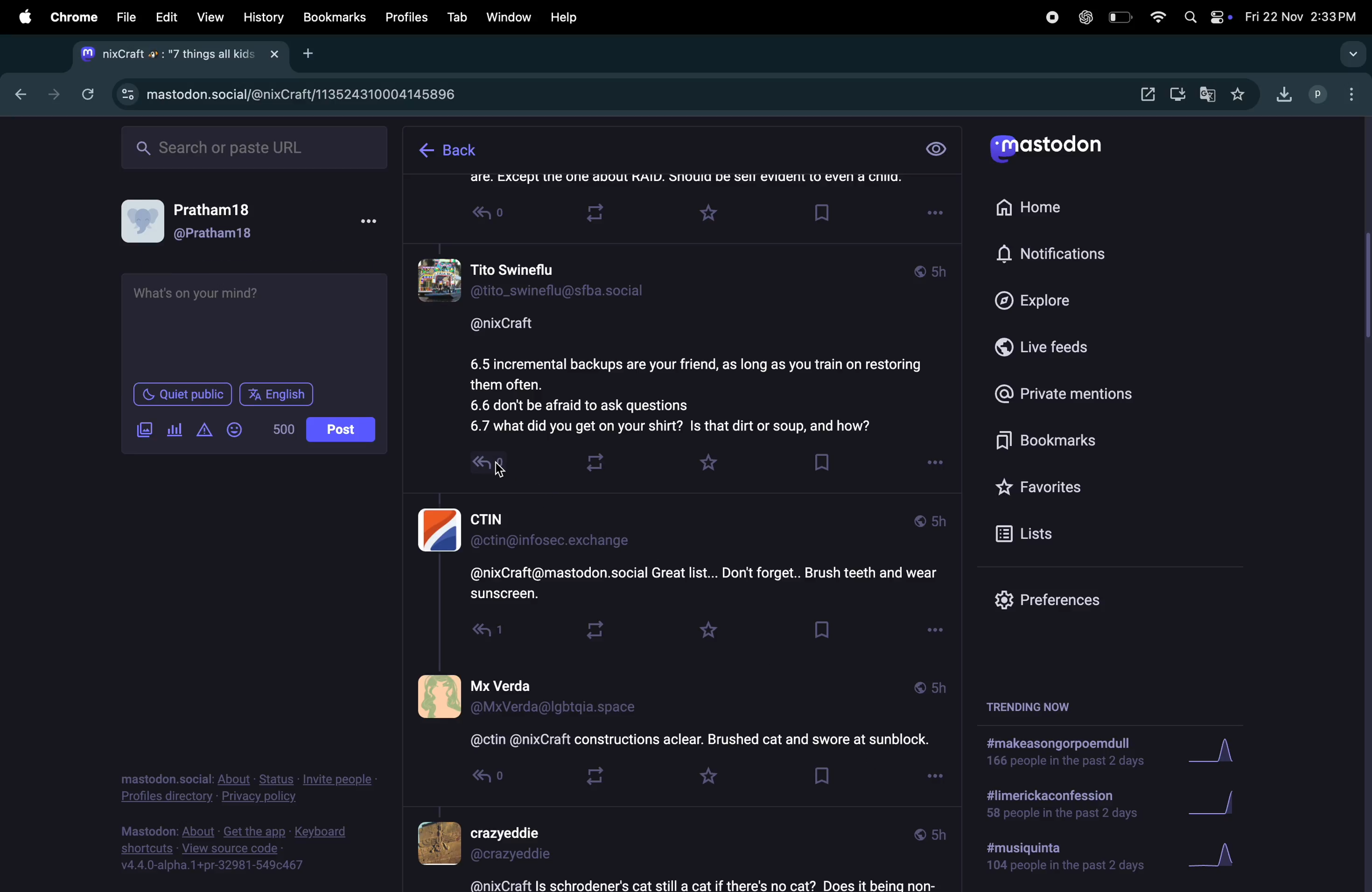 This screenshot has height=892, width=1372. What do you see at coordinates (20, 17) in the screenshot?
I see `apple menu` at bounding box center [20, 17].